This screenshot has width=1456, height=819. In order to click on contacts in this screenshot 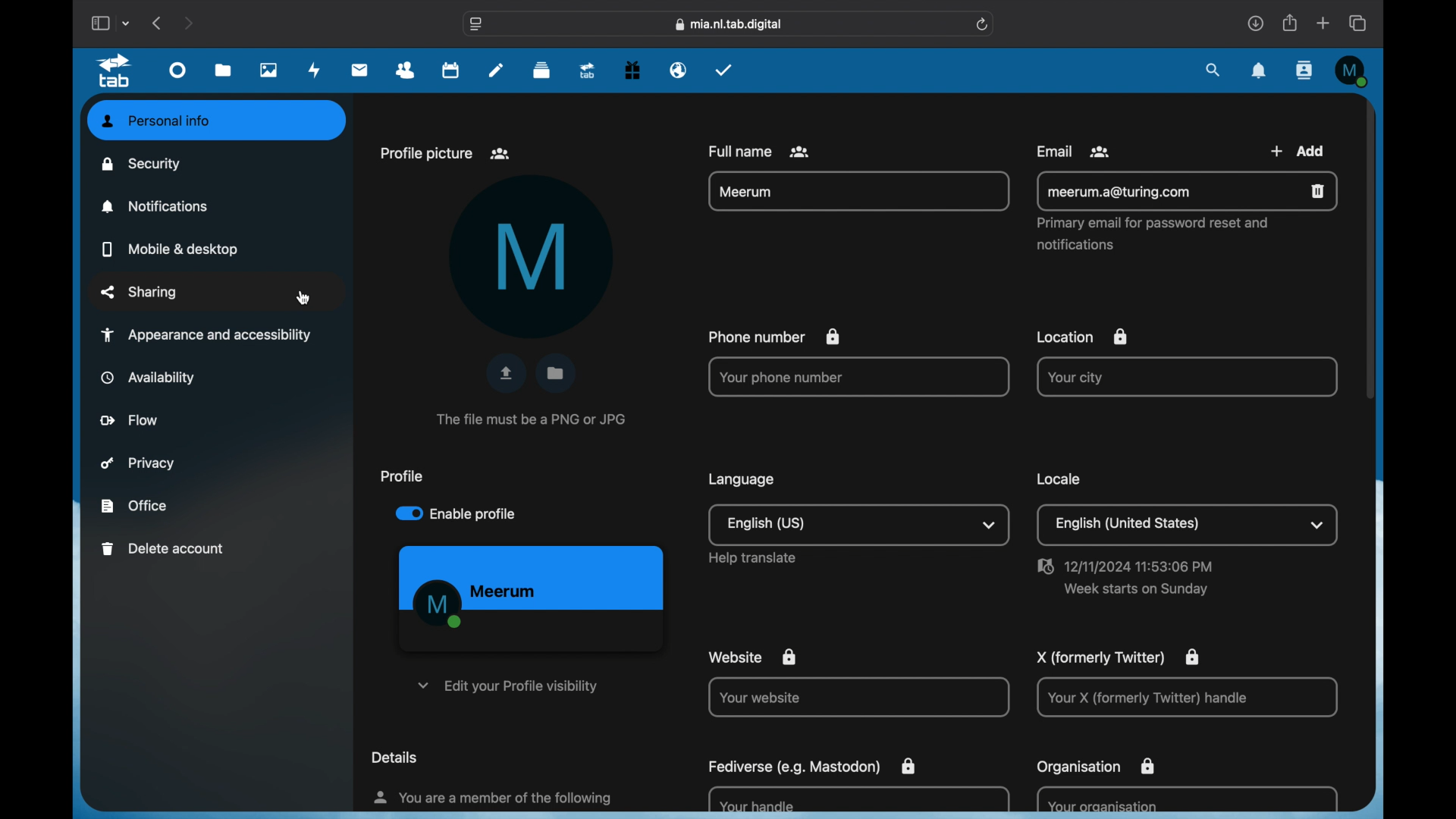, I will do `click(1303, 70)`.